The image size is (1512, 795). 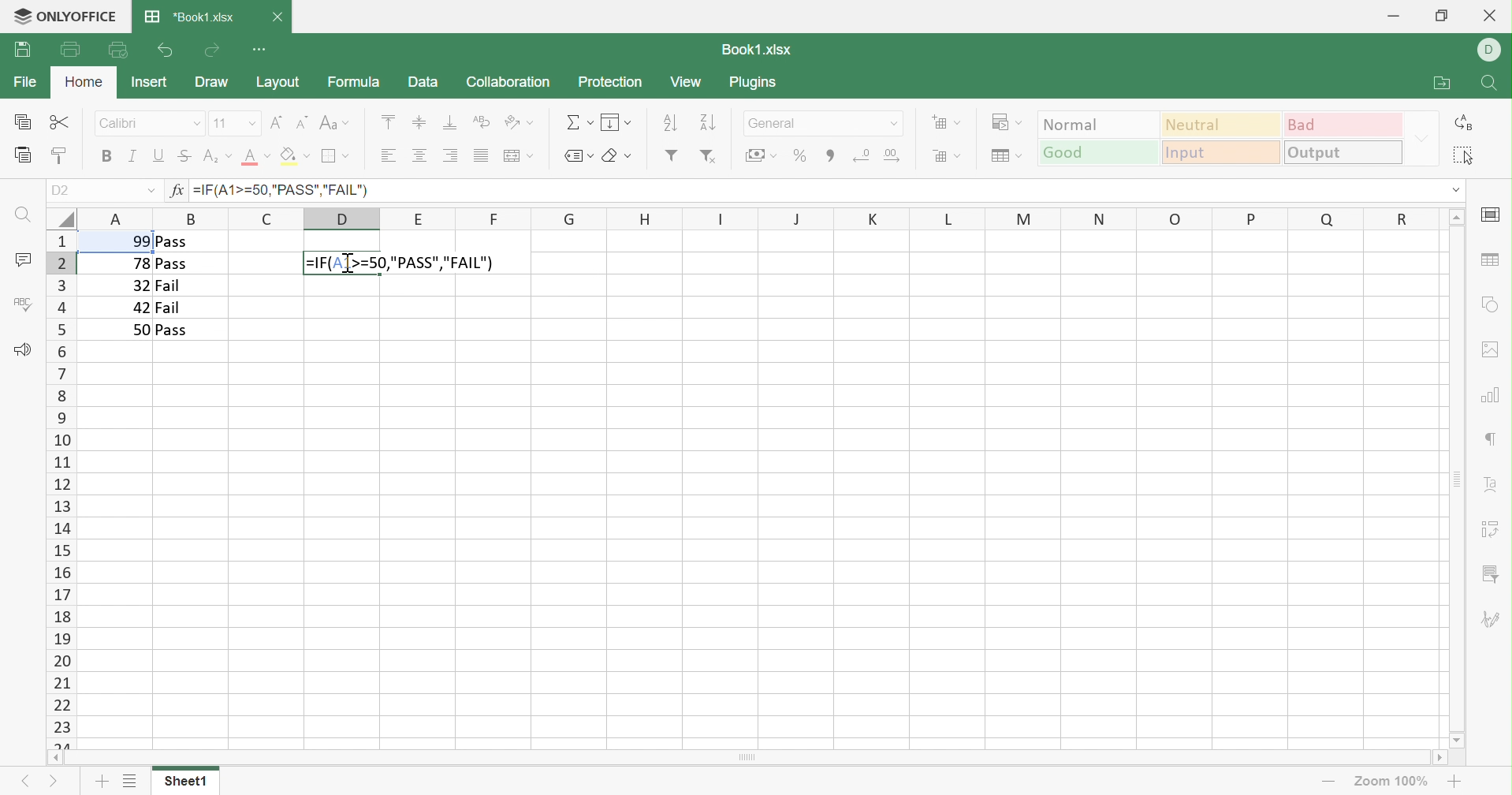 What do you see at coordinates (171, 241) in the screenshot?
I see `Pass` at bounding box center [171, 241].